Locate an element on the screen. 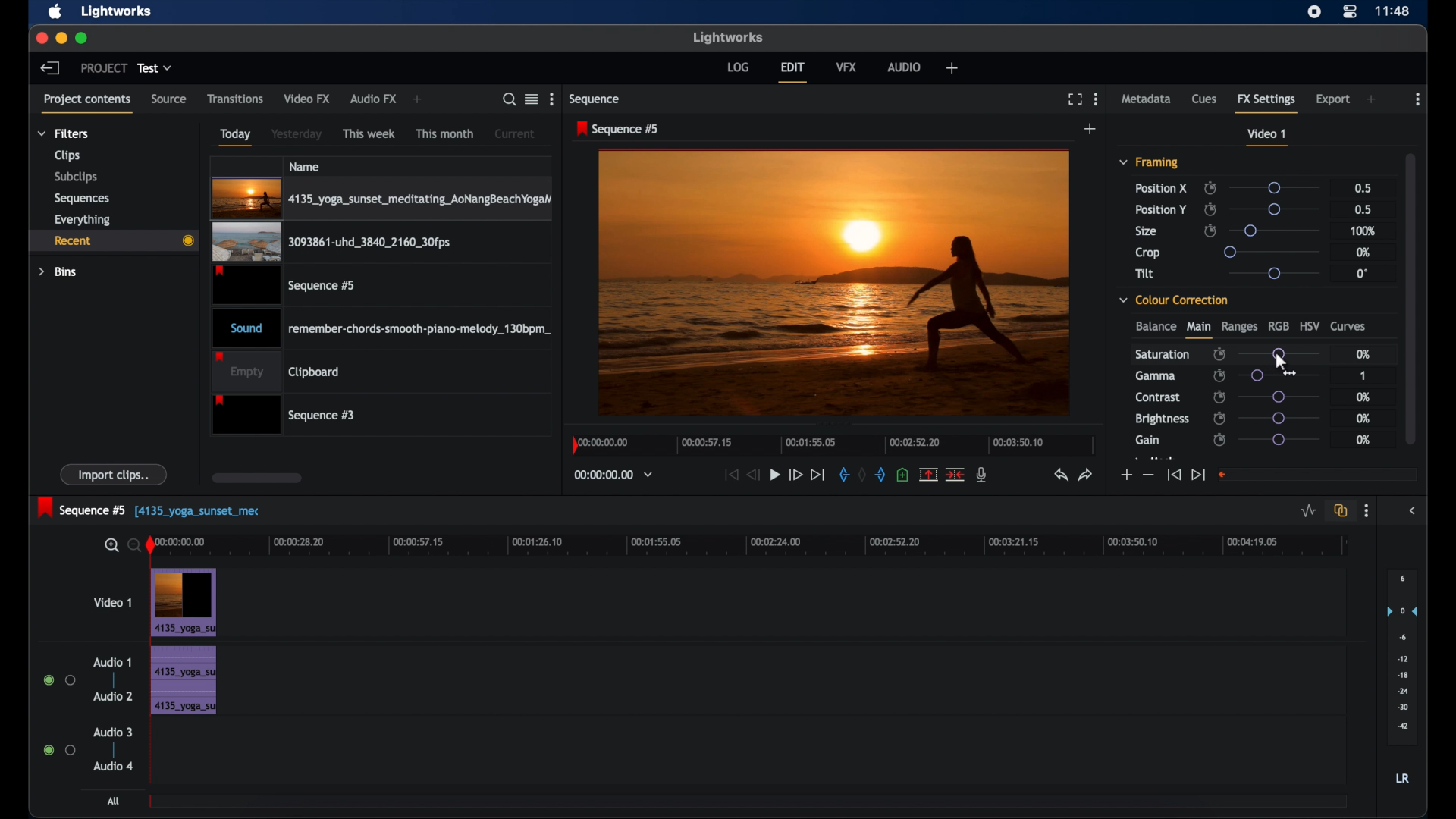 The image size is (1456, 819). curves is located at coordinates (1350, 327).